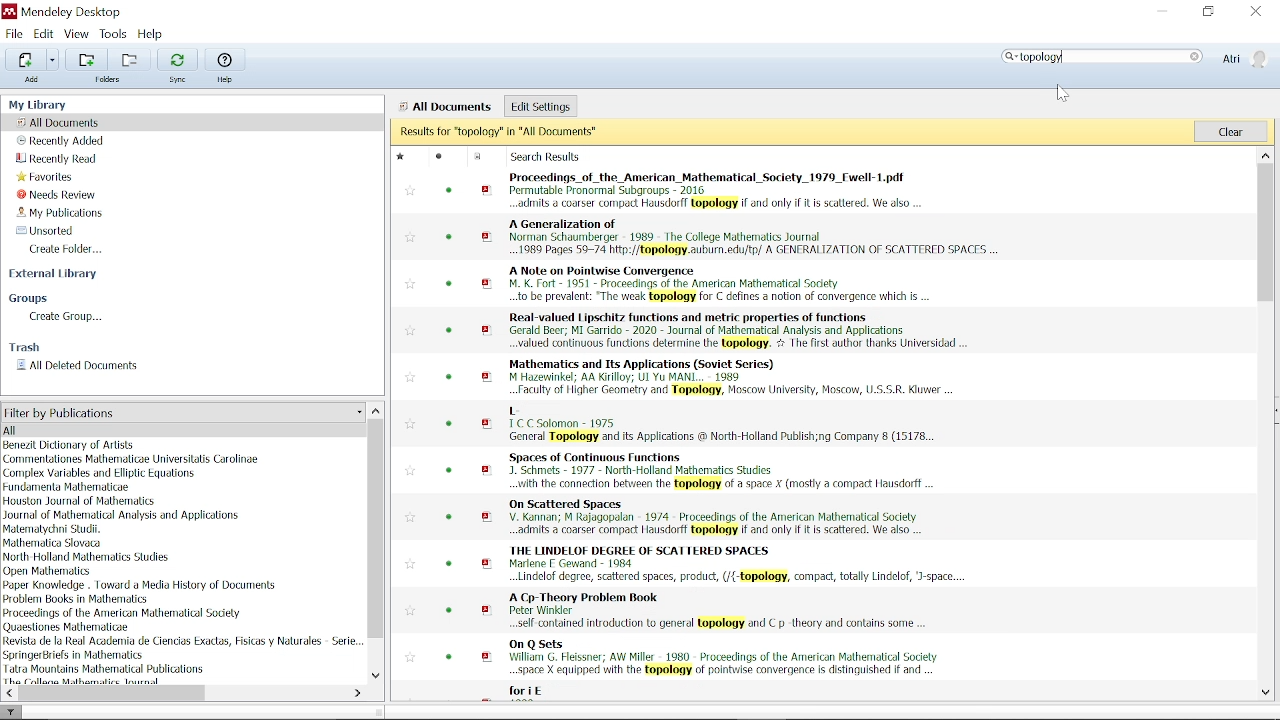 This screenshot has height=720, width=1280. What do you see at coordinates (356, 693) in the screenshot?
I see `Move right in filter by publications` at bounding box center [356, 693].